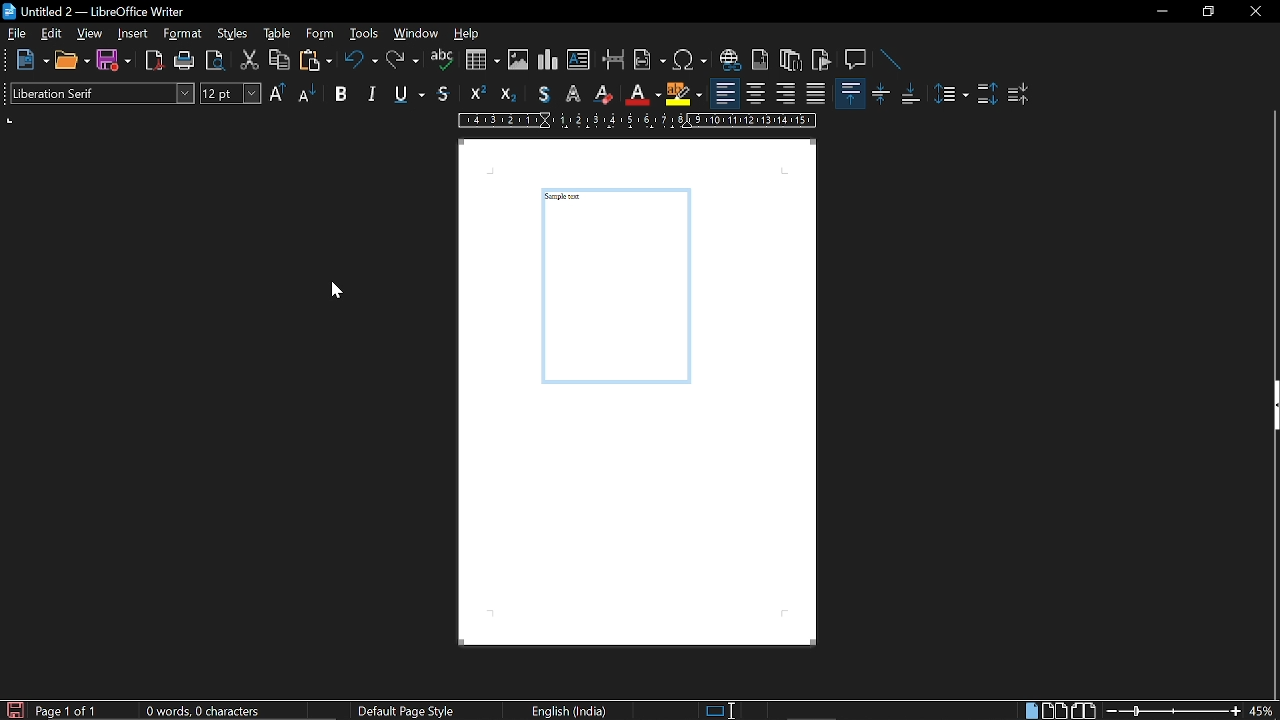 The height and width of the screenshot is (720, 1280). I want to click on insert footnote, so click(761, 61).